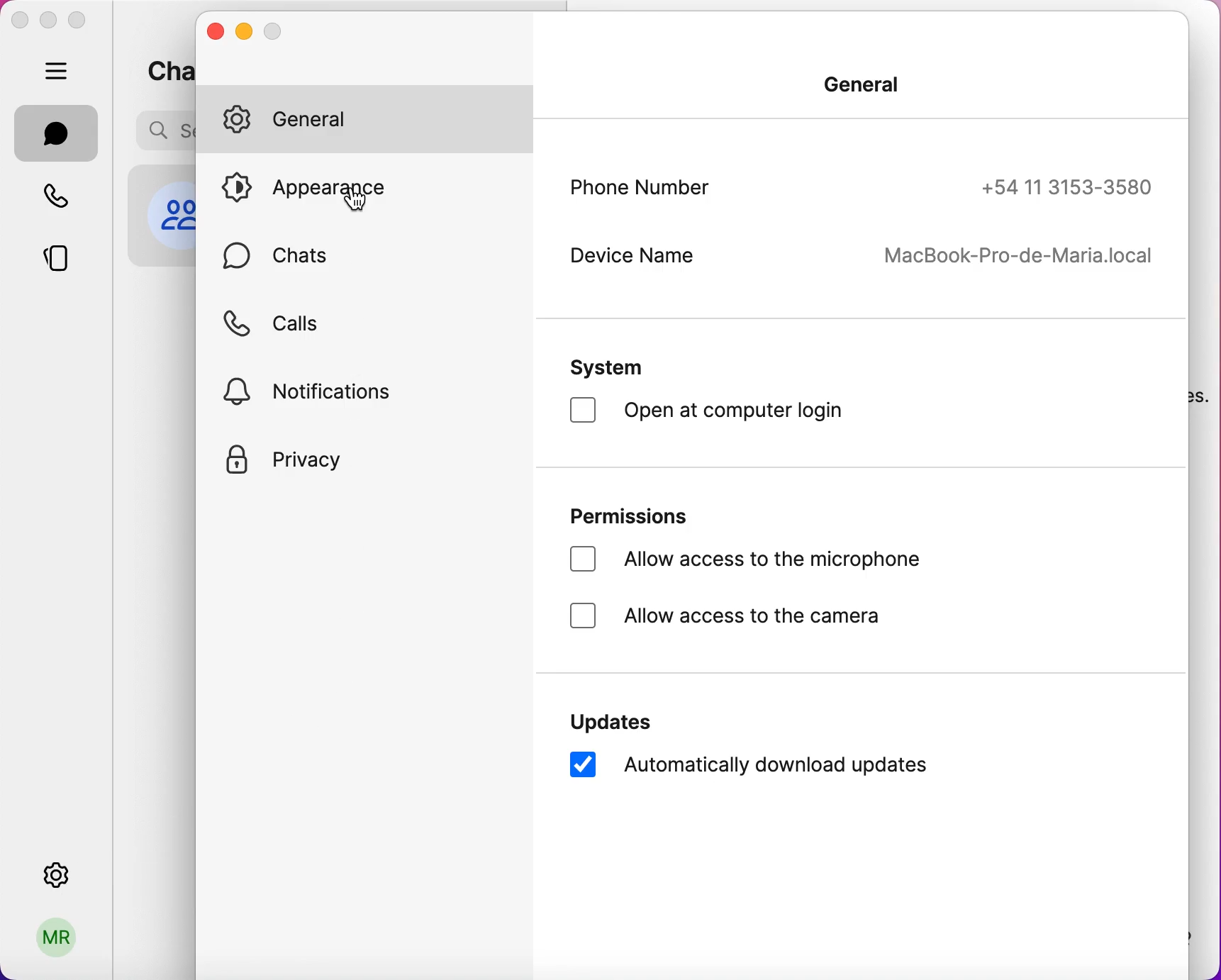 The width and height of the screenshot is (1221, 980). What do you see at coordinates (580, 767) in the screenshot?
I see `checkbox` at bounding box center [580, 767].